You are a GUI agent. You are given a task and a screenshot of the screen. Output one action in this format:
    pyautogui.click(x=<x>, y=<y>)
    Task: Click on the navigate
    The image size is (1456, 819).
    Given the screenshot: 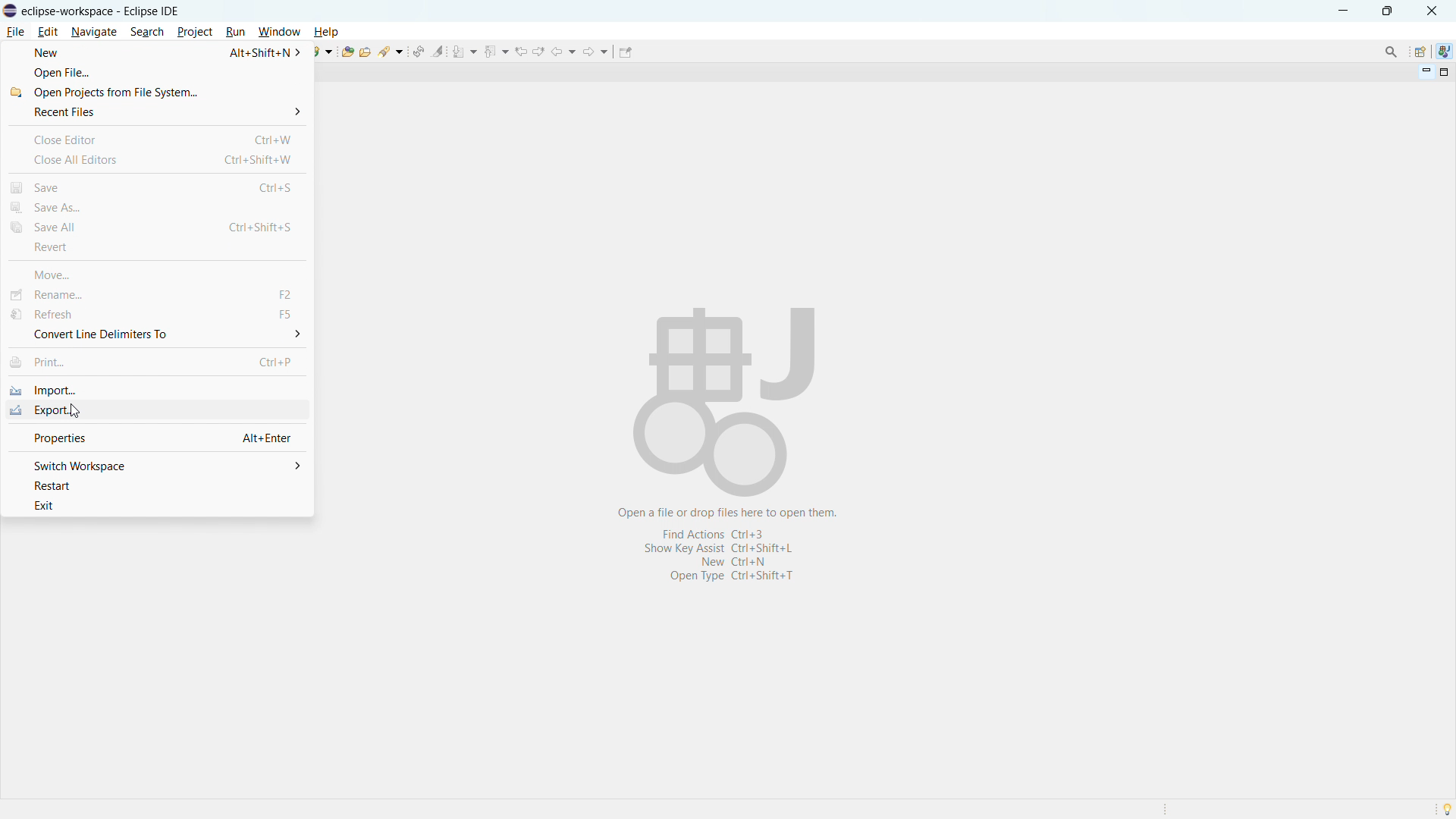 What is the action you would take?
    pyautogui.click(x=93, y=33)
    